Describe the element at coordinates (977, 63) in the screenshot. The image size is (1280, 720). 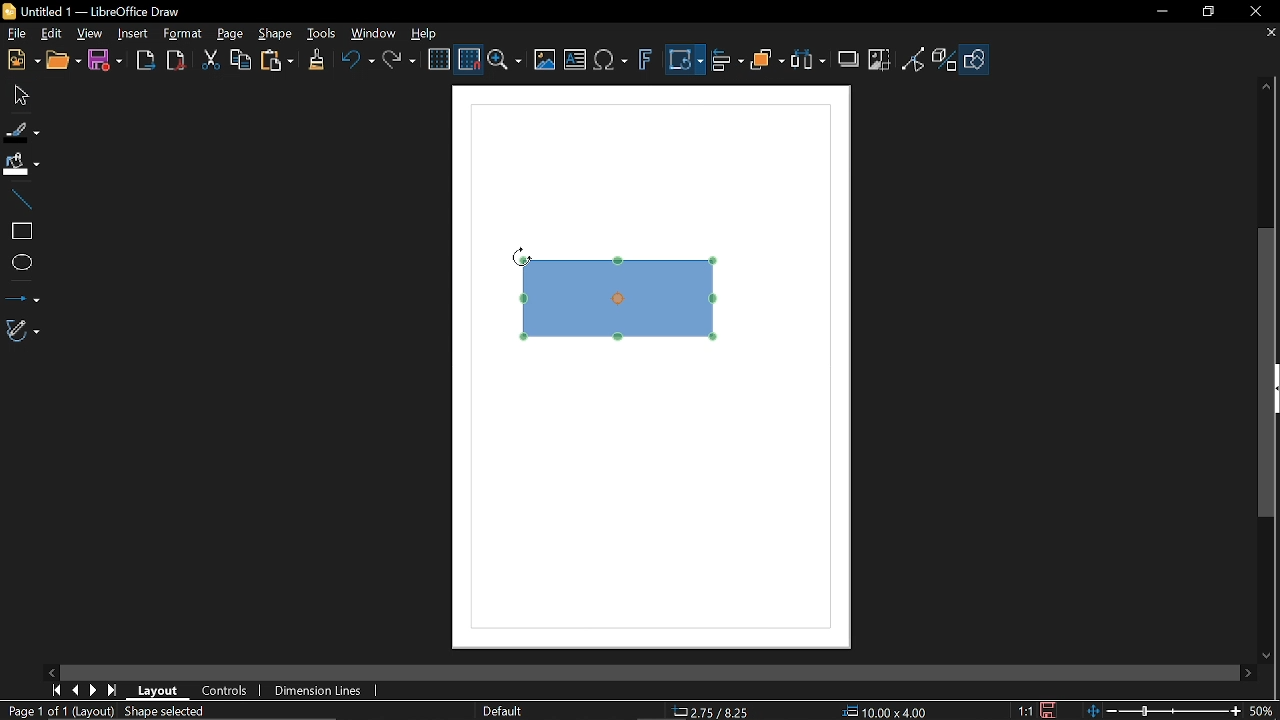
I see `Shape` at that location.